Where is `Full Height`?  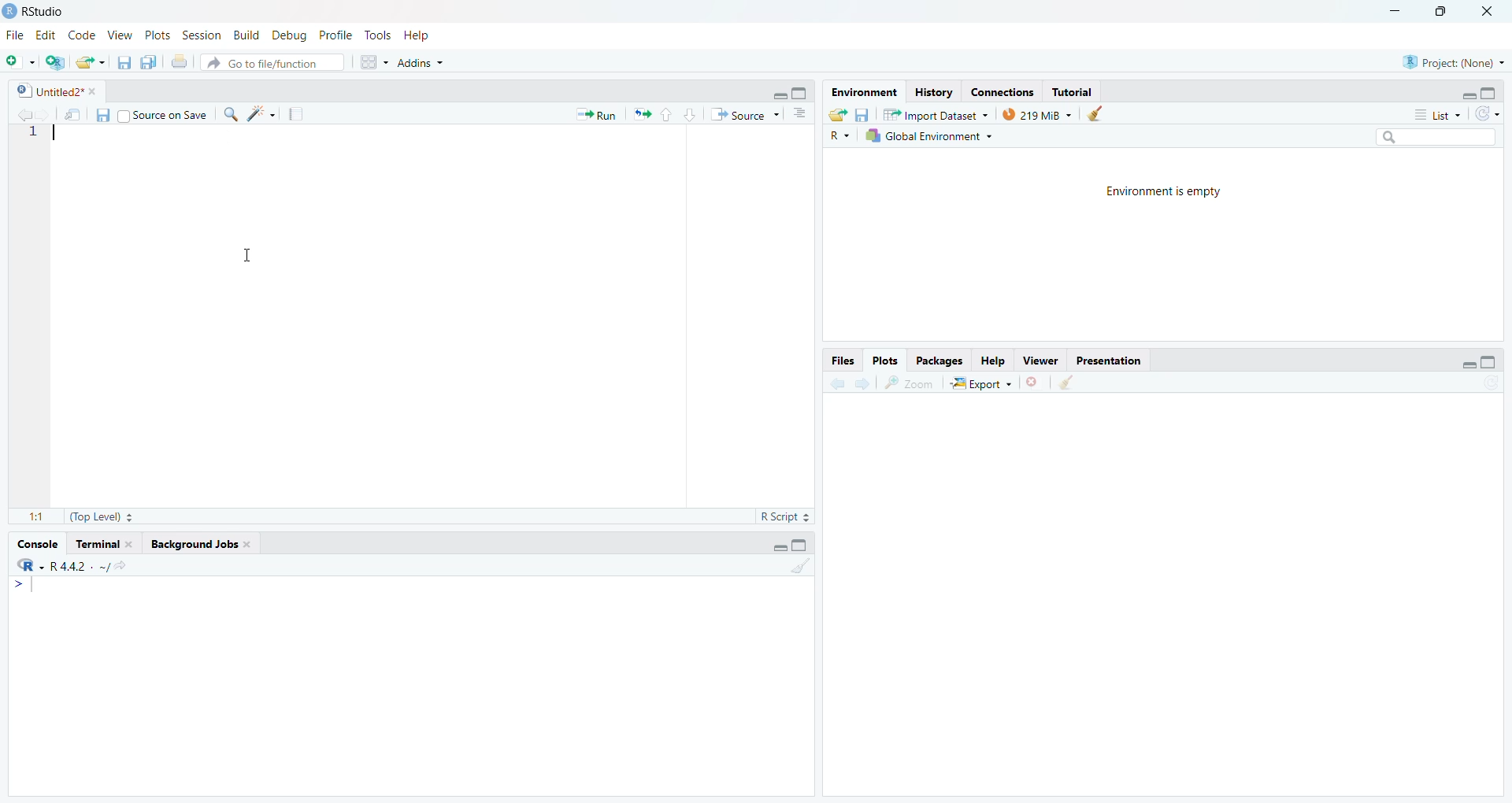 Full Height is located at coordinates (1490, 361).